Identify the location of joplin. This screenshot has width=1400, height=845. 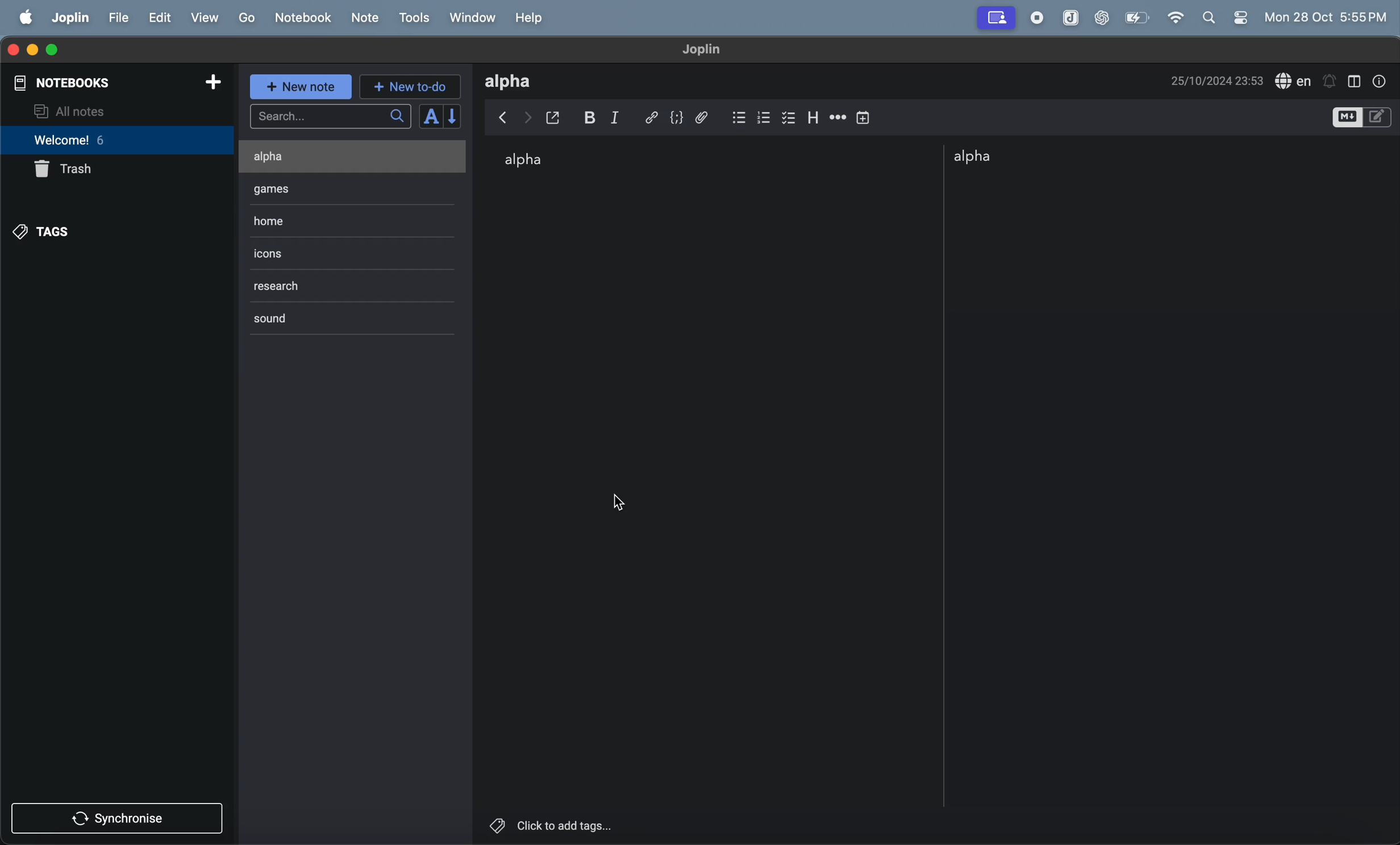
(69, 19).